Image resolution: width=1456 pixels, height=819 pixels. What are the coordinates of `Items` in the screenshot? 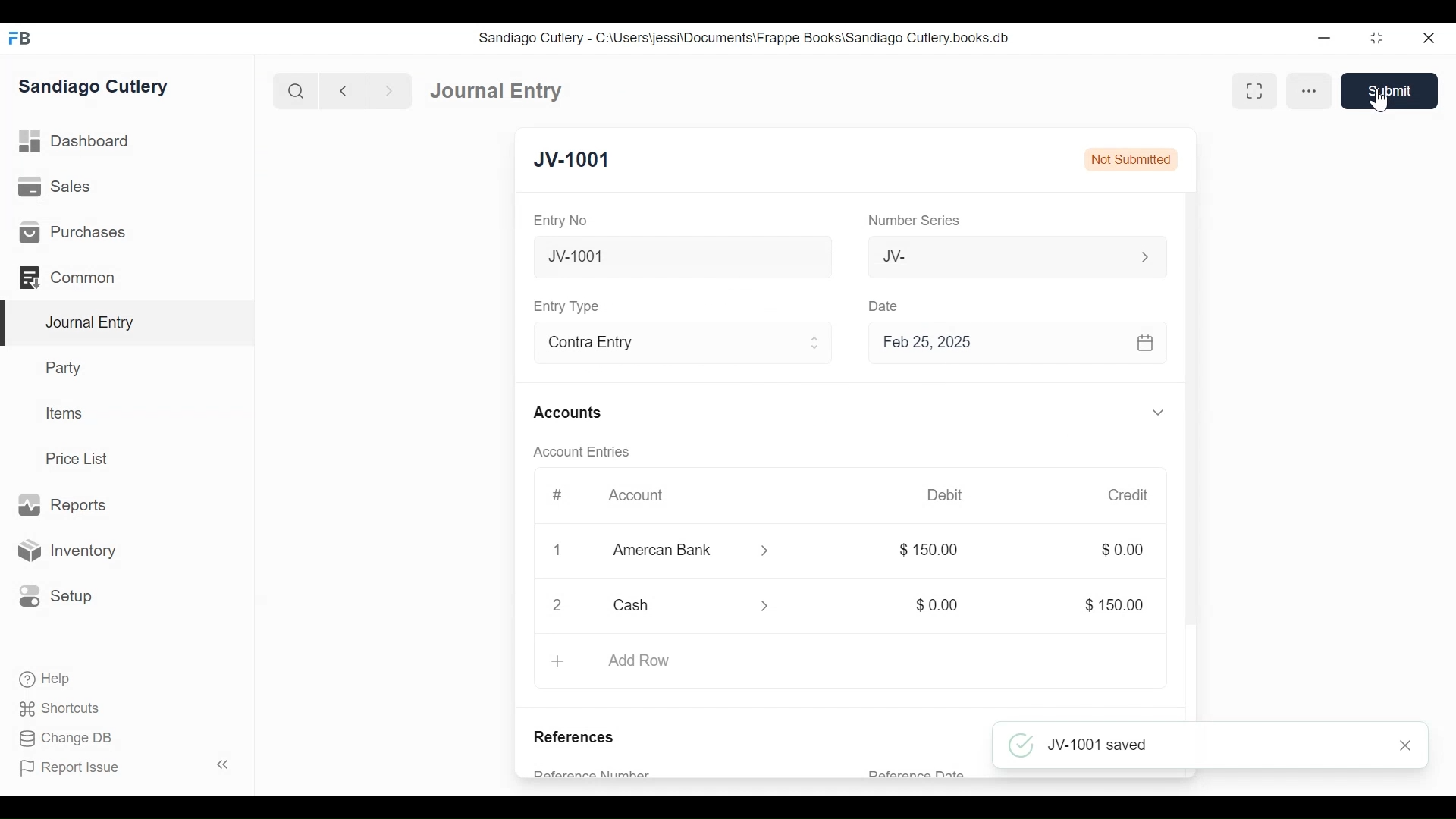 It's located at (65, 413).